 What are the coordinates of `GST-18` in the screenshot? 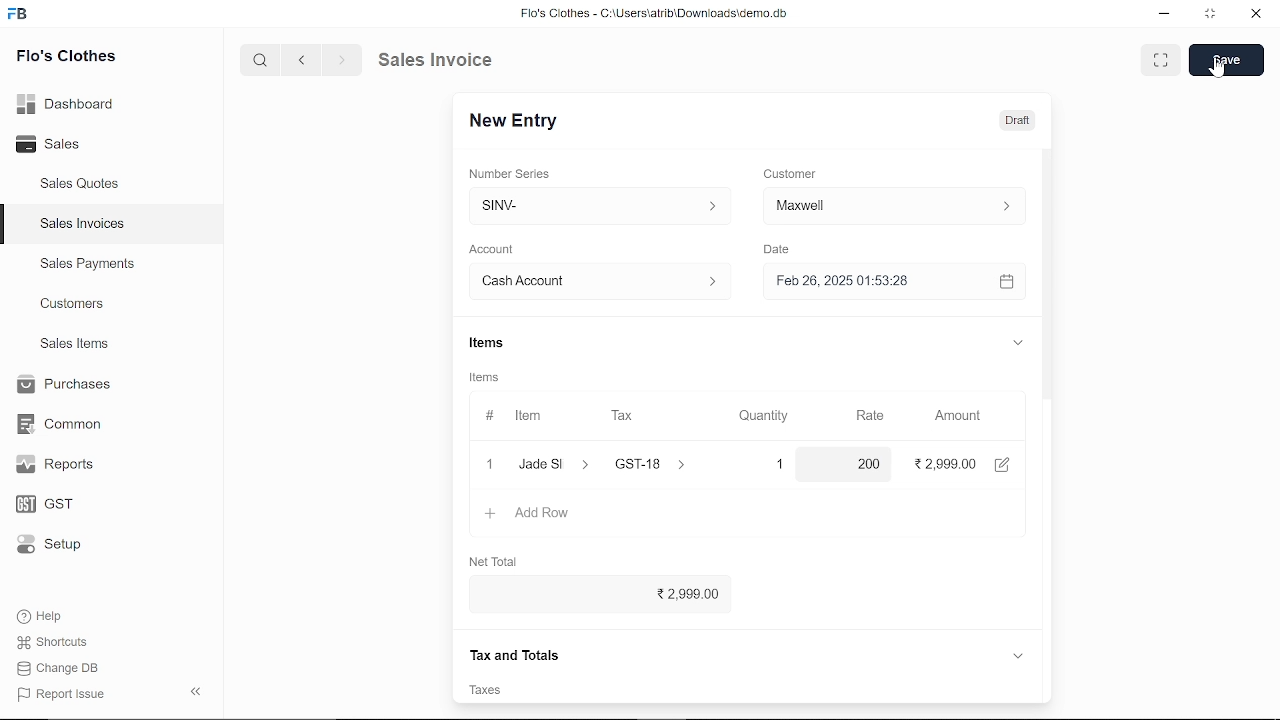 It's located at (662, 464).